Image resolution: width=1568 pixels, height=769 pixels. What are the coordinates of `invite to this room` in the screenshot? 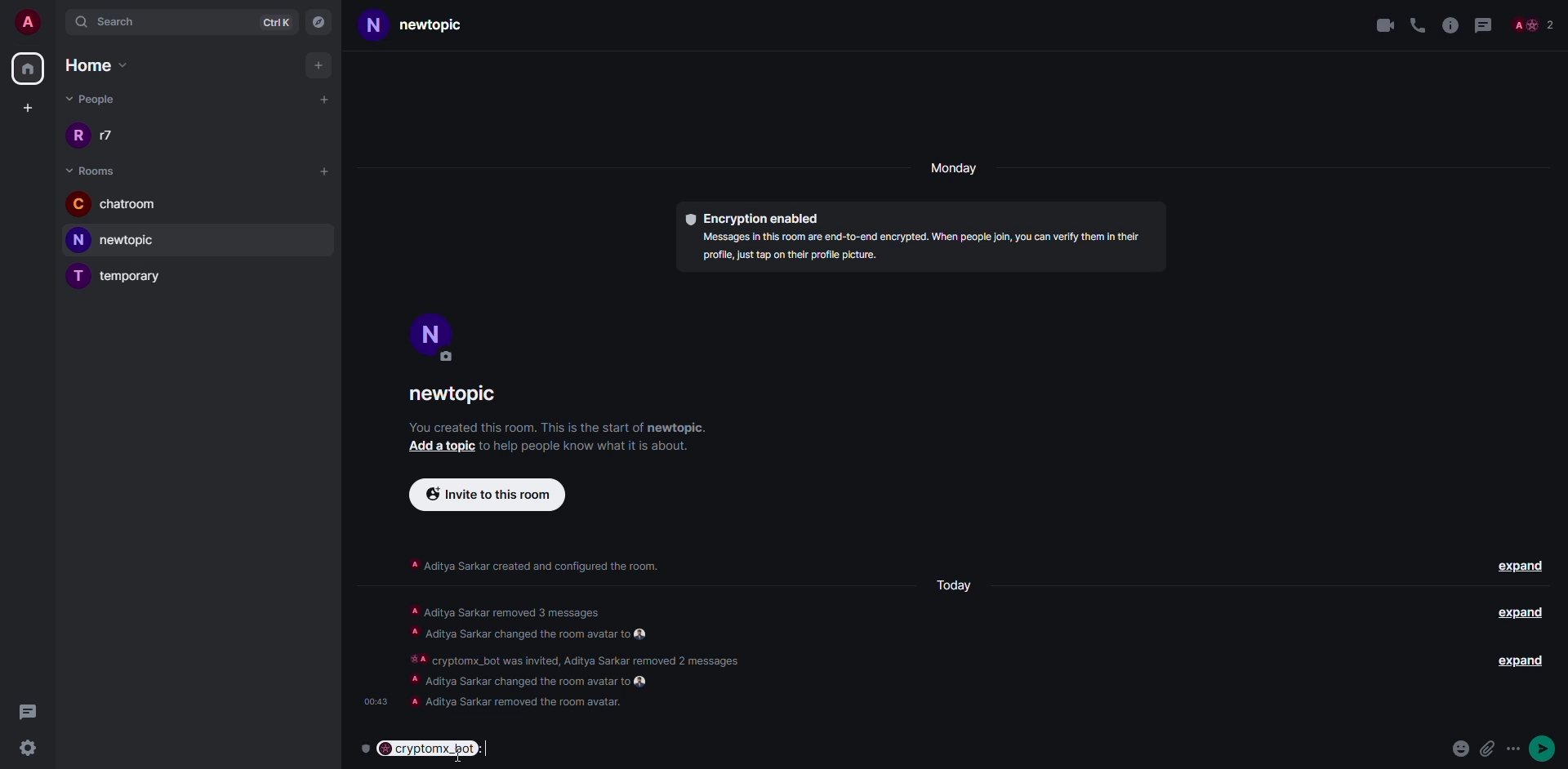 It's located at (487, 493).